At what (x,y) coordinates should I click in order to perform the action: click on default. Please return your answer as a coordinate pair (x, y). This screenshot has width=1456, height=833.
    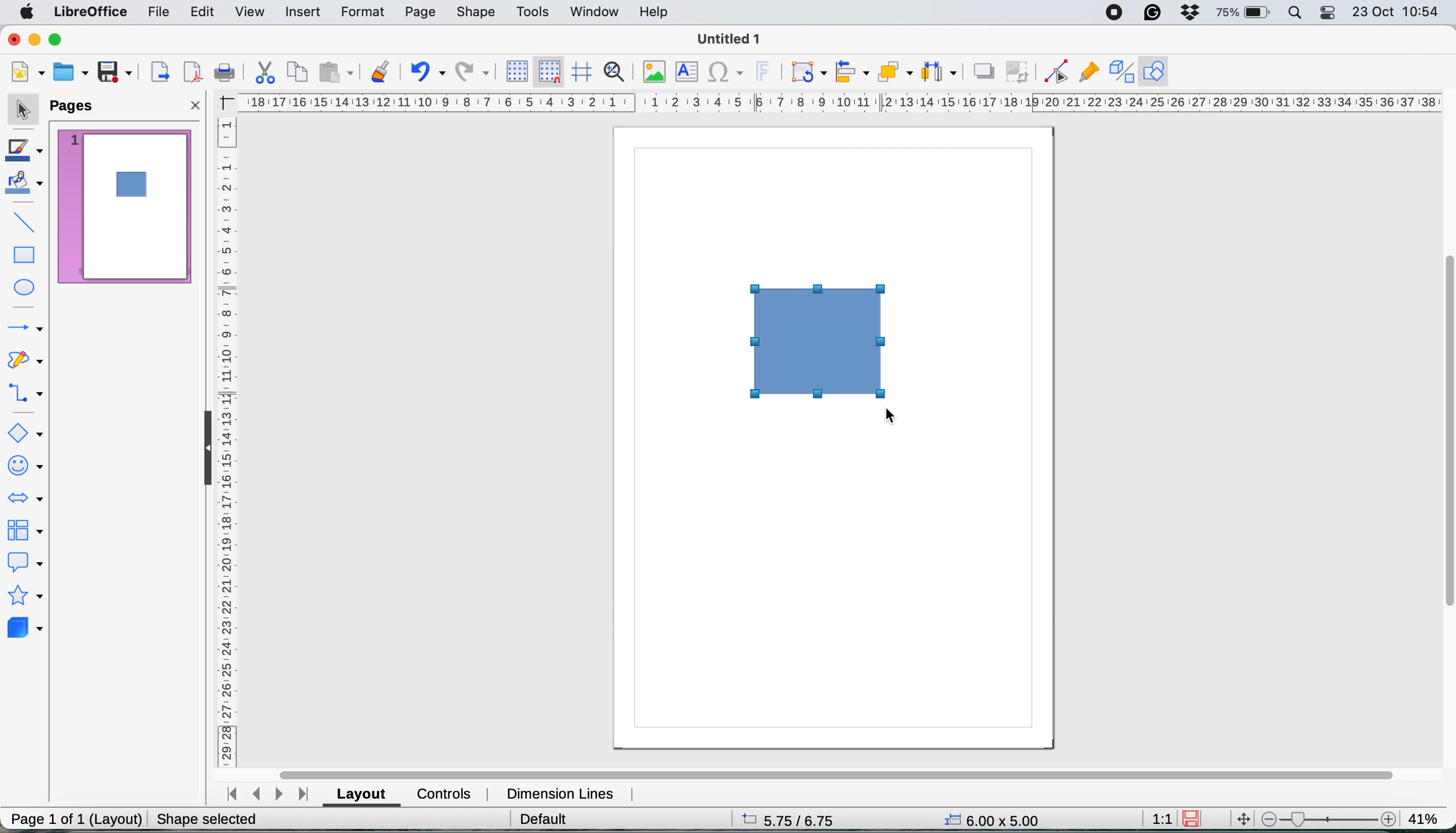
    Looking at the image, I should click on (528, 818).